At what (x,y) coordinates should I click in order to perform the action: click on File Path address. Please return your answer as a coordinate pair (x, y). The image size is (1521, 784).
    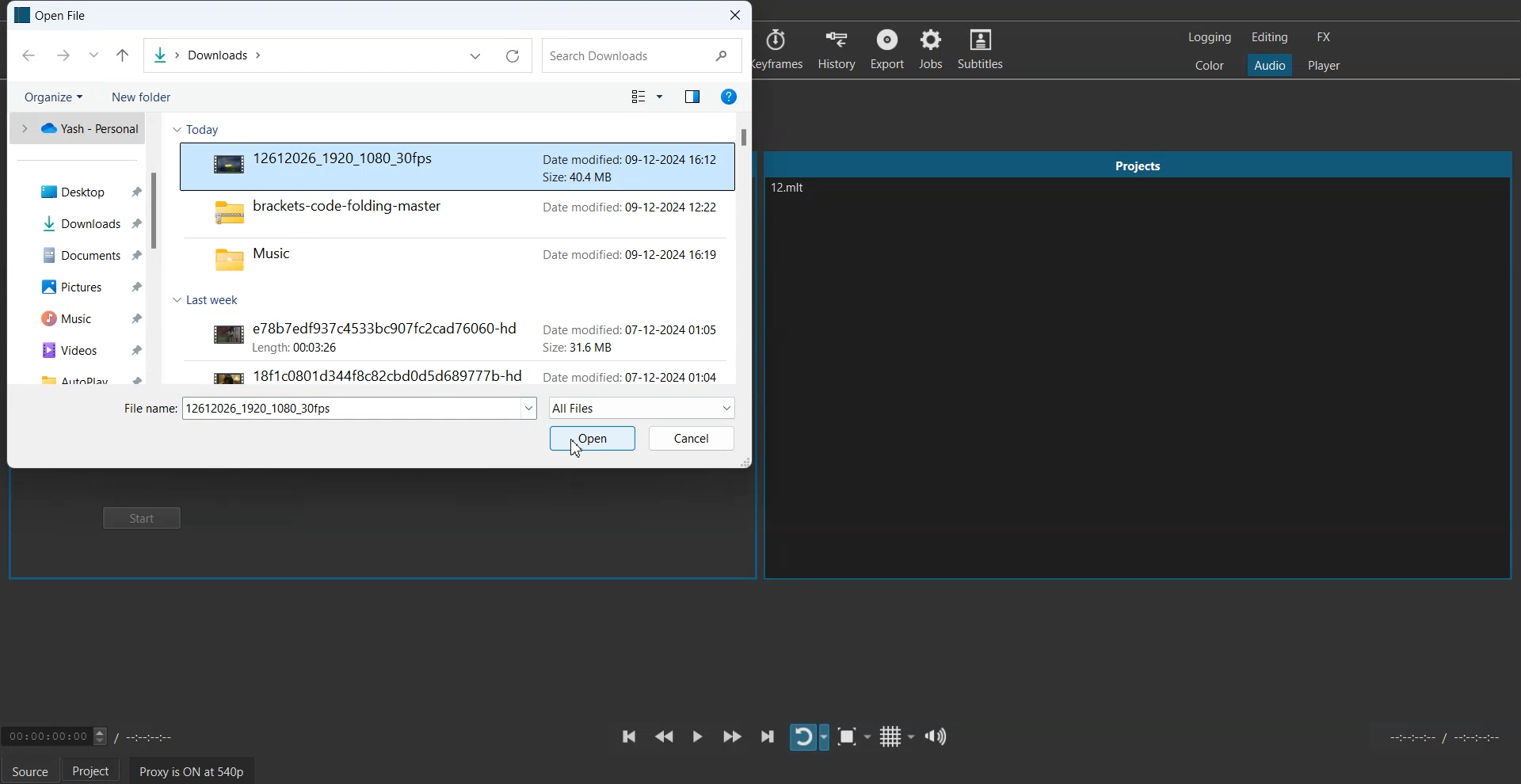
    Looking at the image, I should click on (207, 56).